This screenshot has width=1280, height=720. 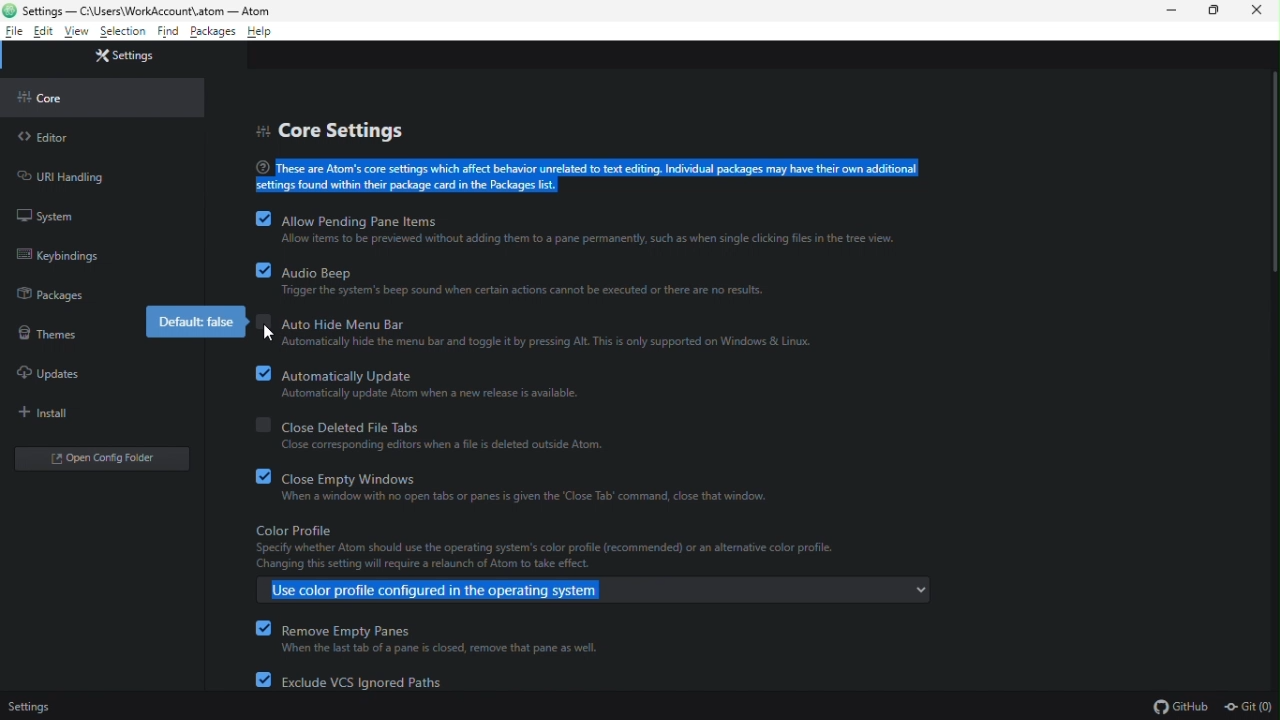 What do you see at coordinates (544, 487) in the screenshot?
I see `4 Close Empty Windows
When a window with no open tabs o panes i given the ‘Close Tab’ command, close that window.` at bounding box center [544, 487].